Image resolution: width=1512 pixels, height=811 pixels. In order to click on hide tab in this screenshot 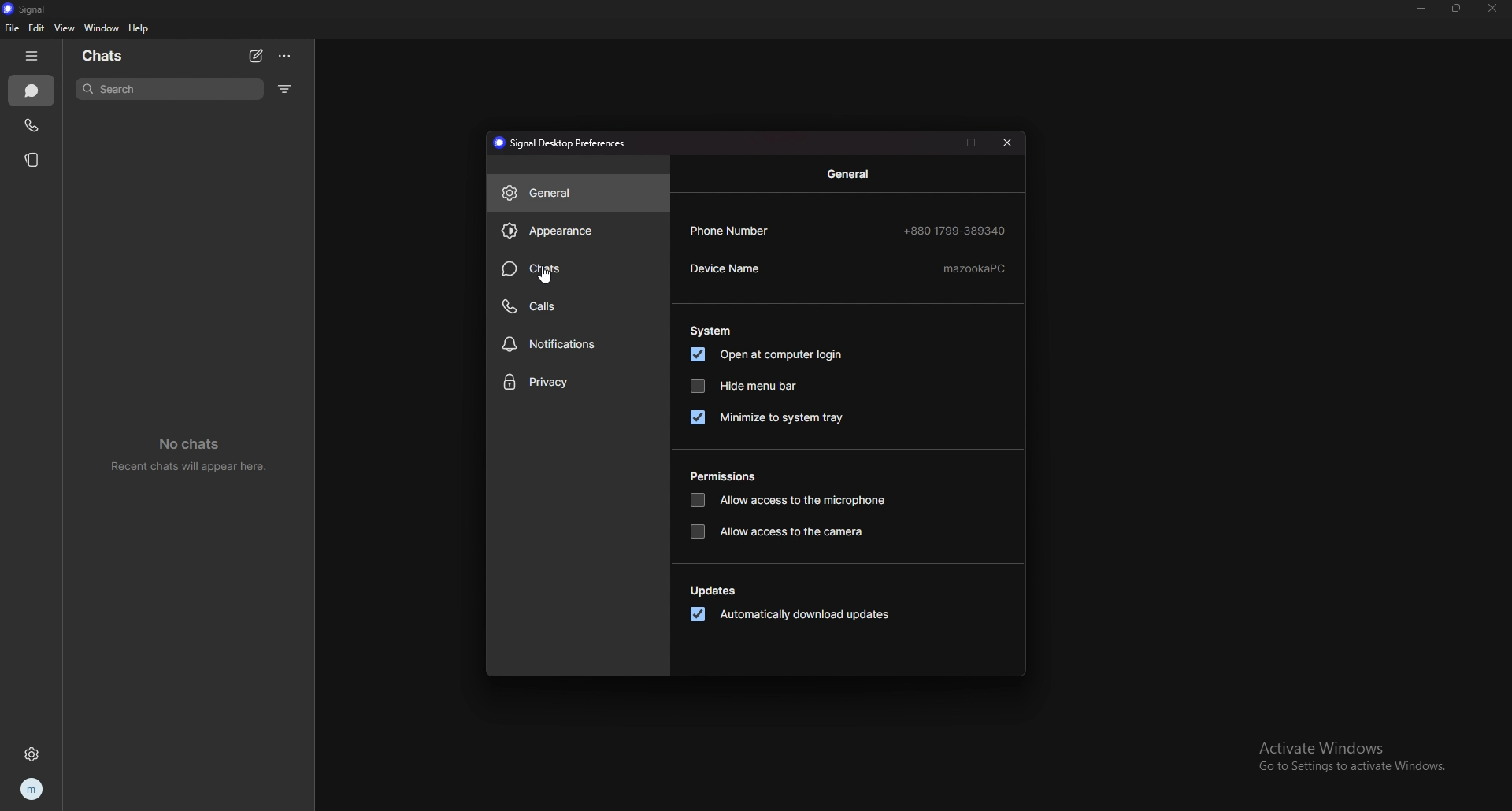, I will do `click(32, 56)`.